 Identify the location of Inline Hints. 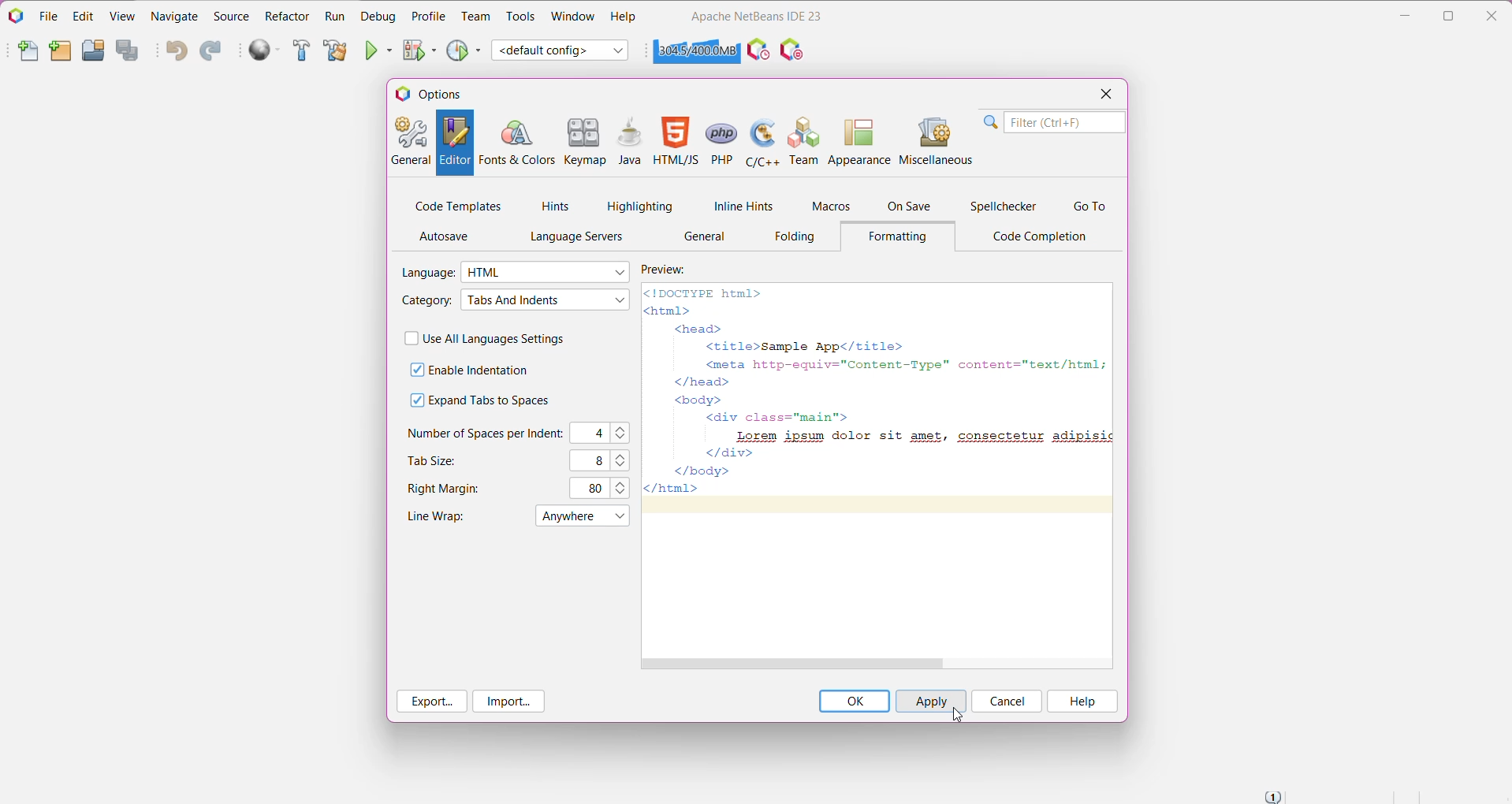
(741, 206).